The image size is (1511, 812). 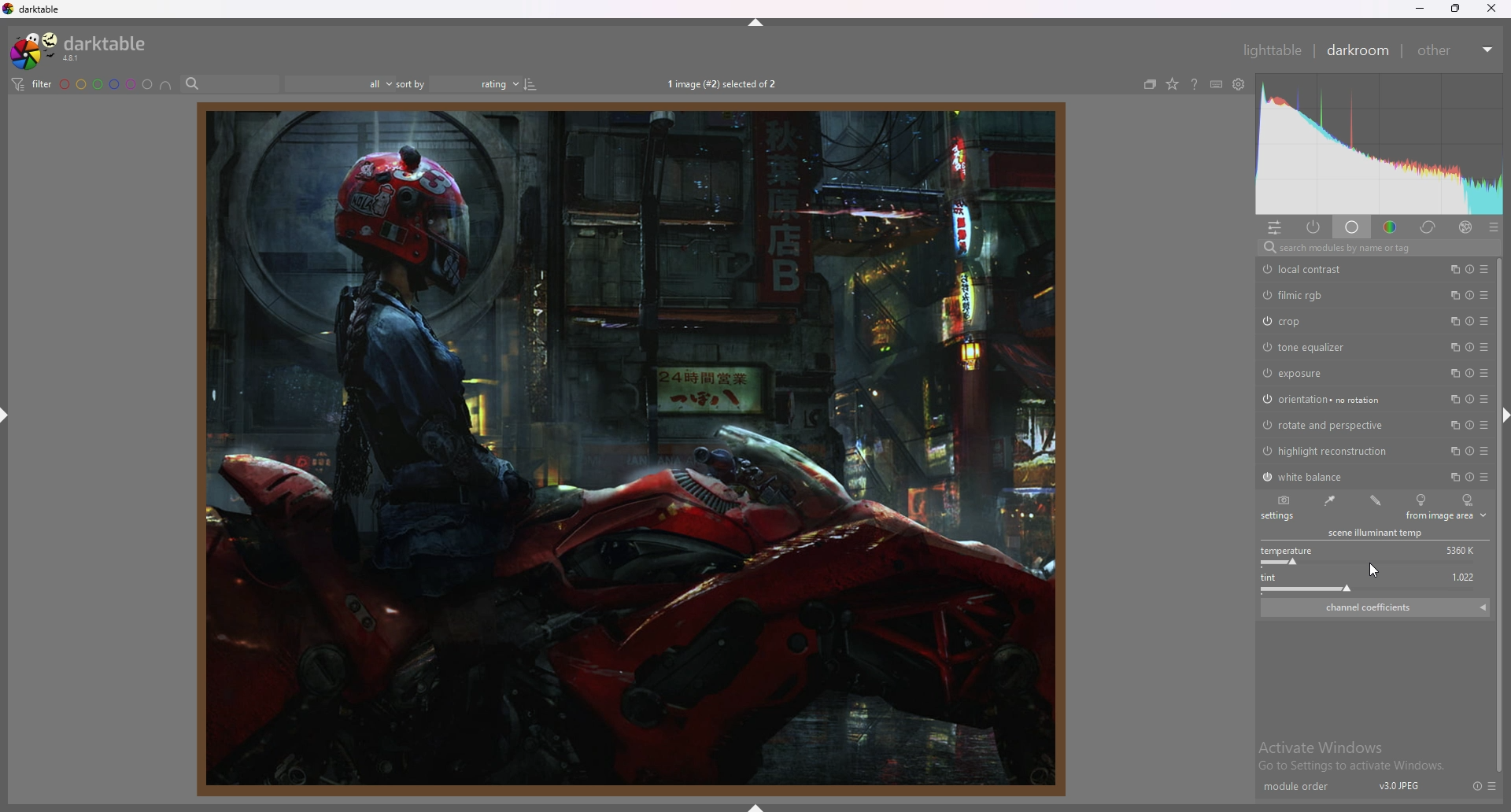 What do you see at coordinates (1469, 269) in the screenshot?
I see `reset` at bounding box center [1469, 269].